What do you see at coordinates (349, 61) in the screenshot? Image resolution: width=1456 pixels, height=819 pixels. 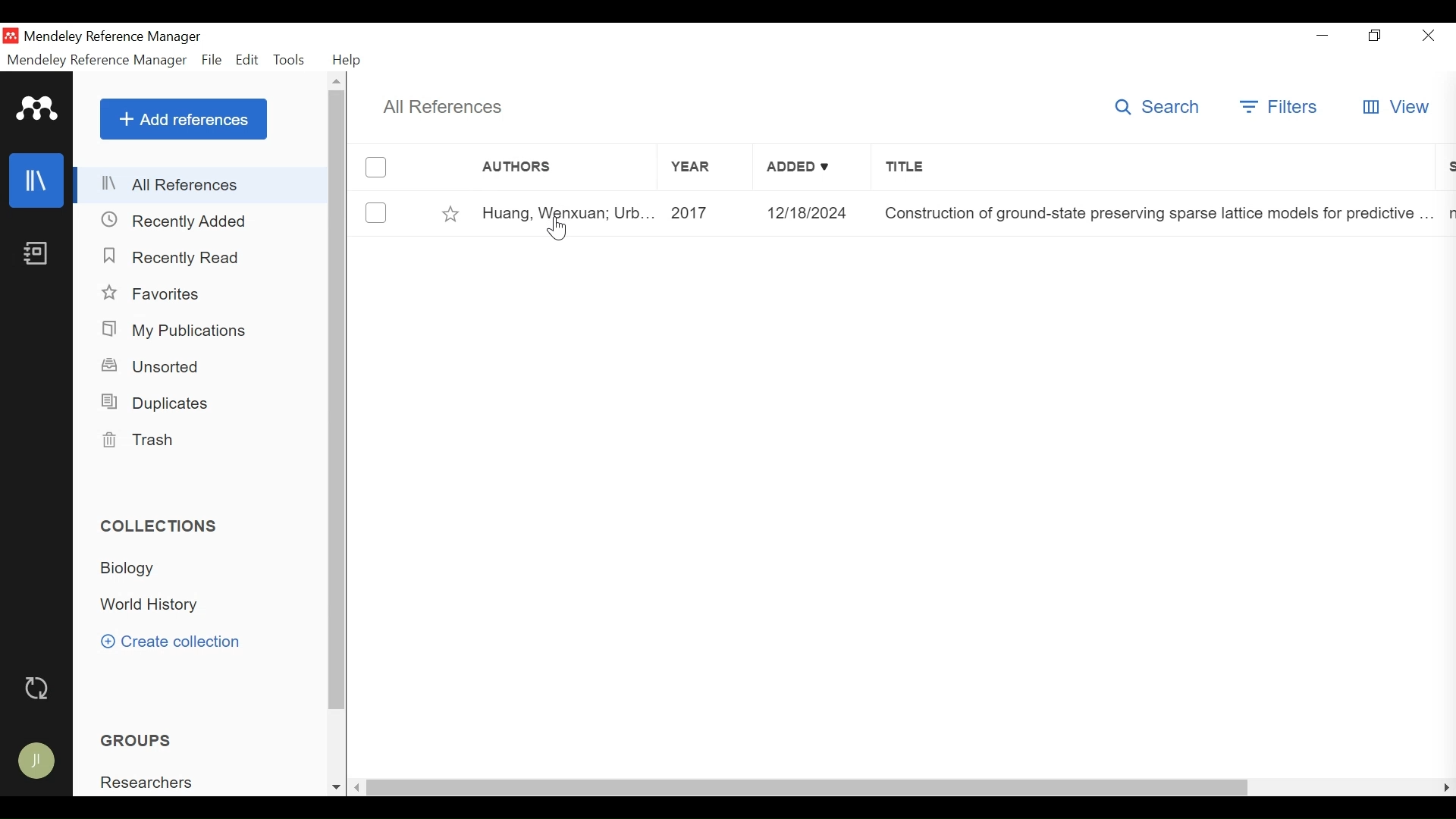 I see `Help` at bounding box center [349, 61].